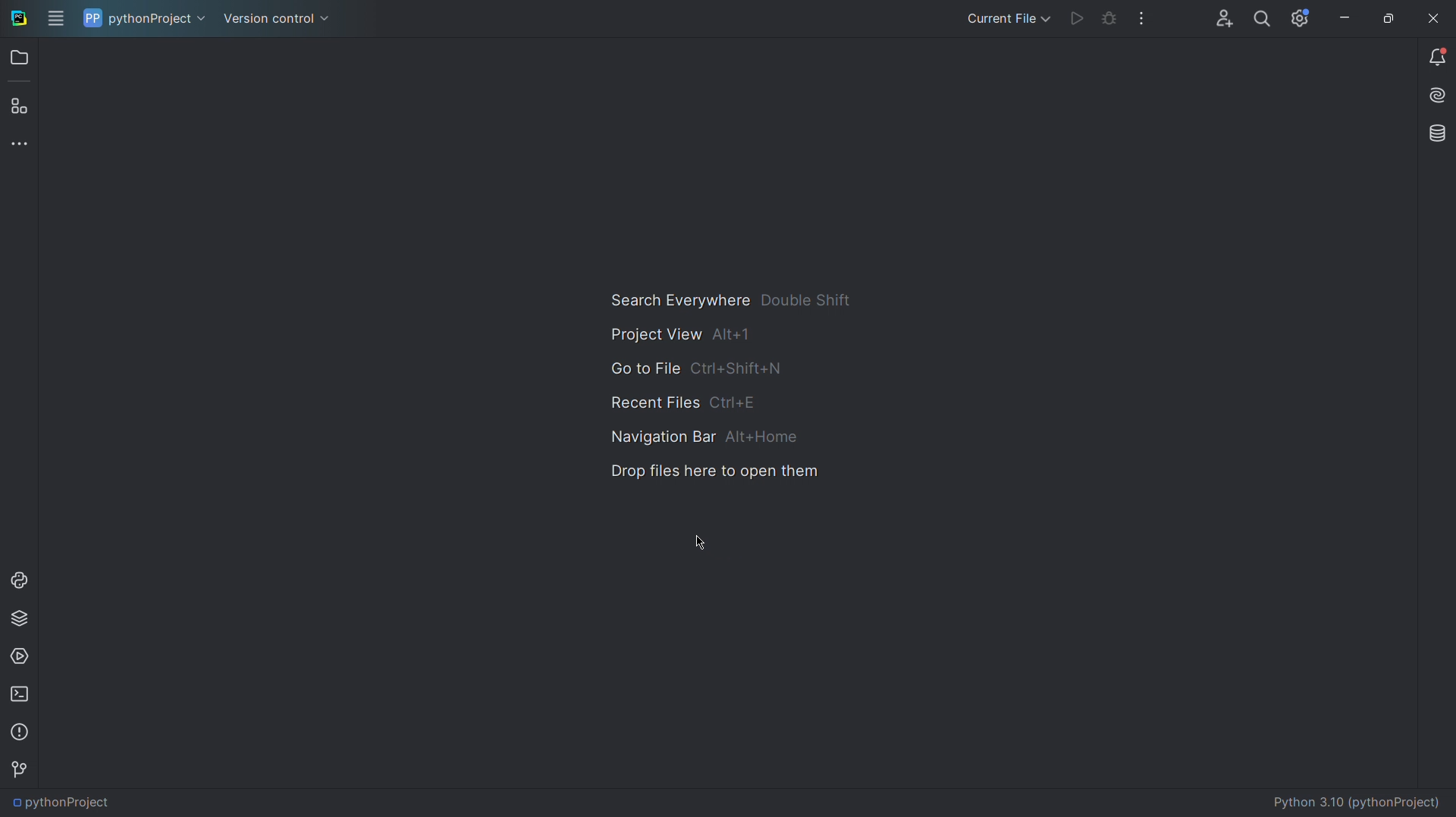 Image resolution: width=1456 pixels, height=817 pixels. Describe the element at coordinates (693, 542) in the screenshot. I see `Cursor` at that location.